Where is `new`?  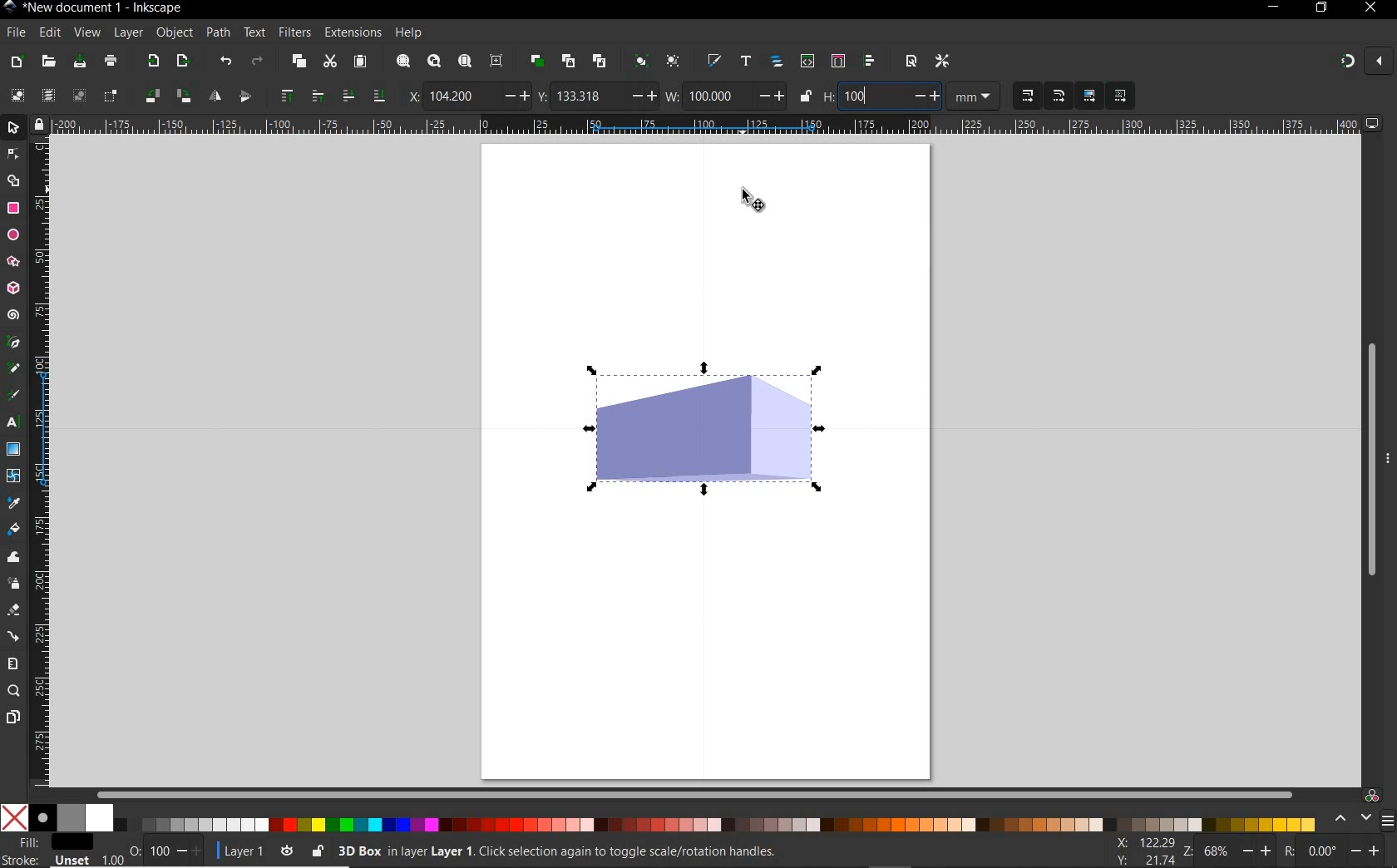
new is located at coordinates (15, 61).